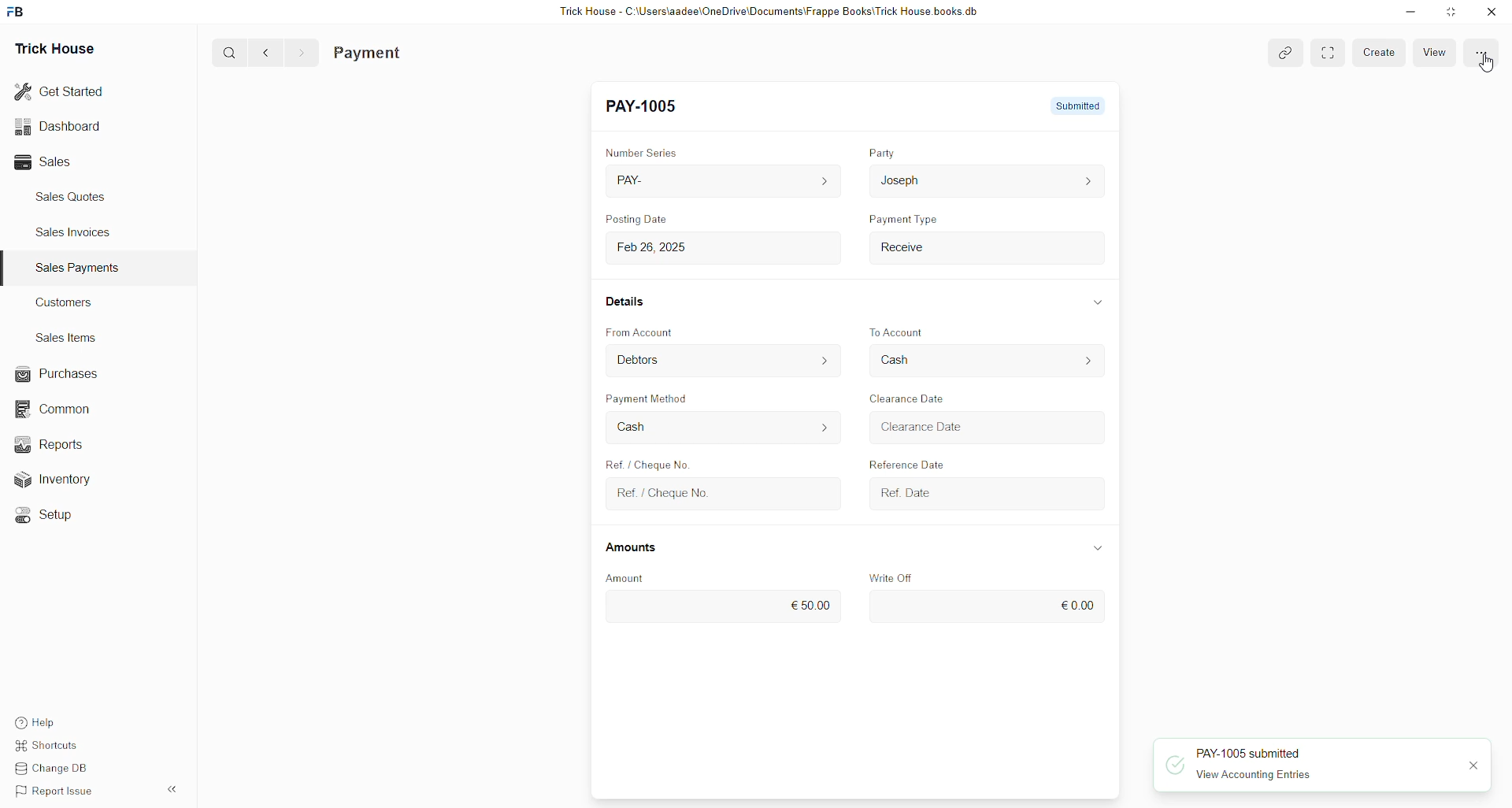  Describe the element at coordinates (902, 462) in the screenshot. I see `Reference Date` at that location.